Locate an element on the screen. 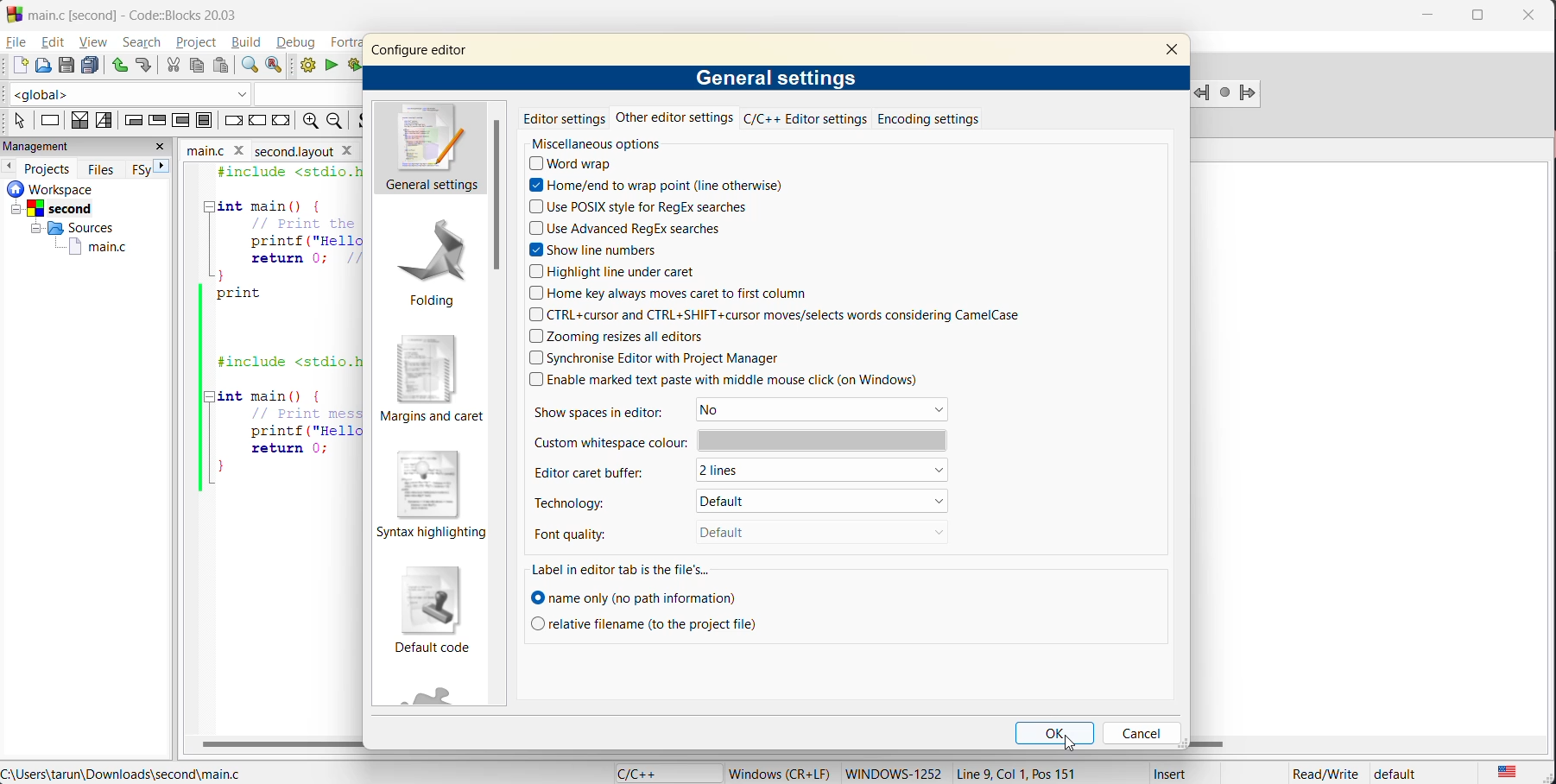 The image size is (1556, 784). use POSIX style for regex searches is located at coordinates (648, 206).